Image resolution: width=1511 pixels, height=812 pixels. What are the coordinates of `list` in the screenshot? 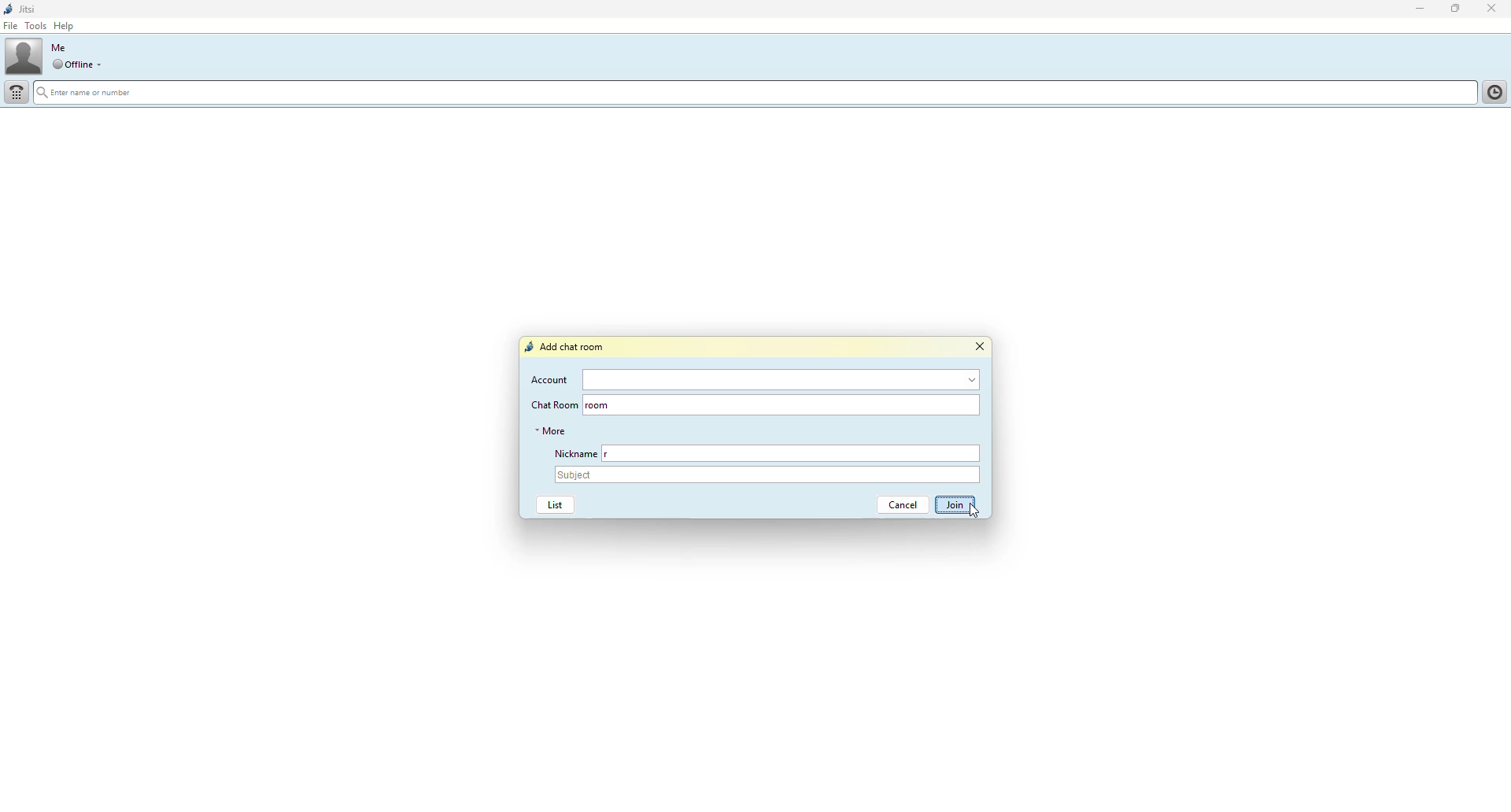 It's located at (552, 505).